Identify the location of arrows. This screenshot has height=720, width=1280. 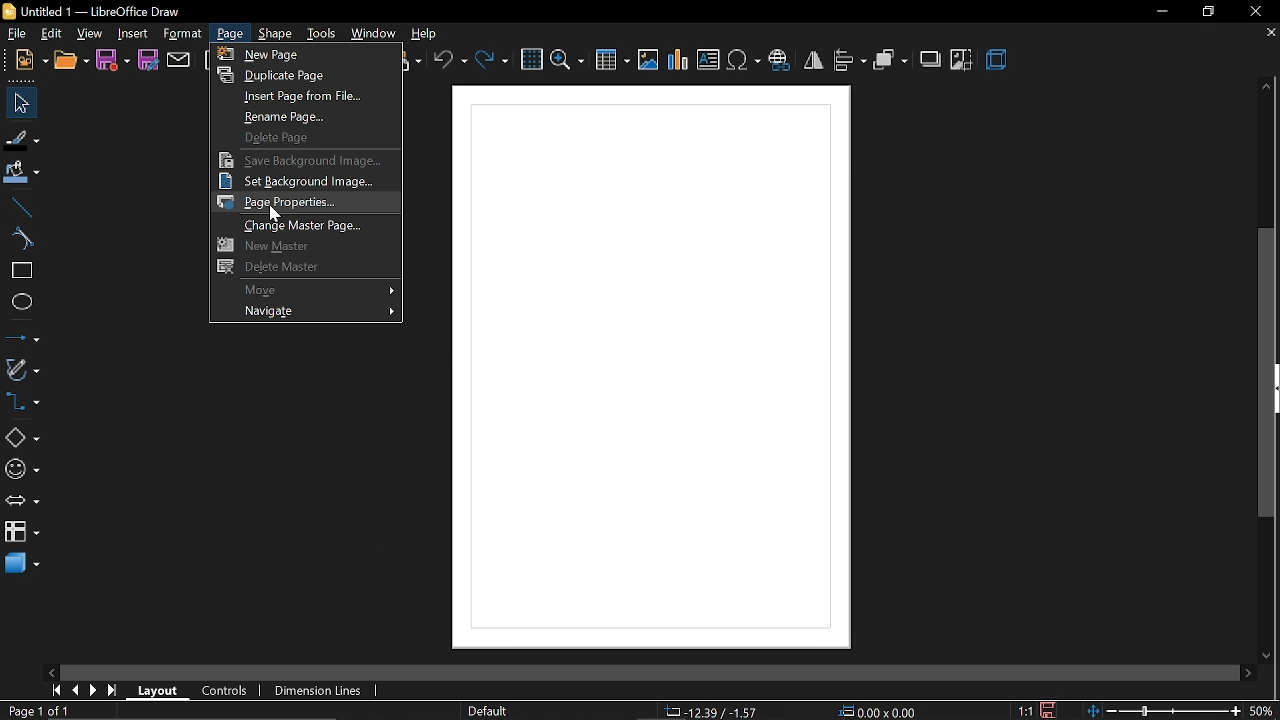
(23, 502).